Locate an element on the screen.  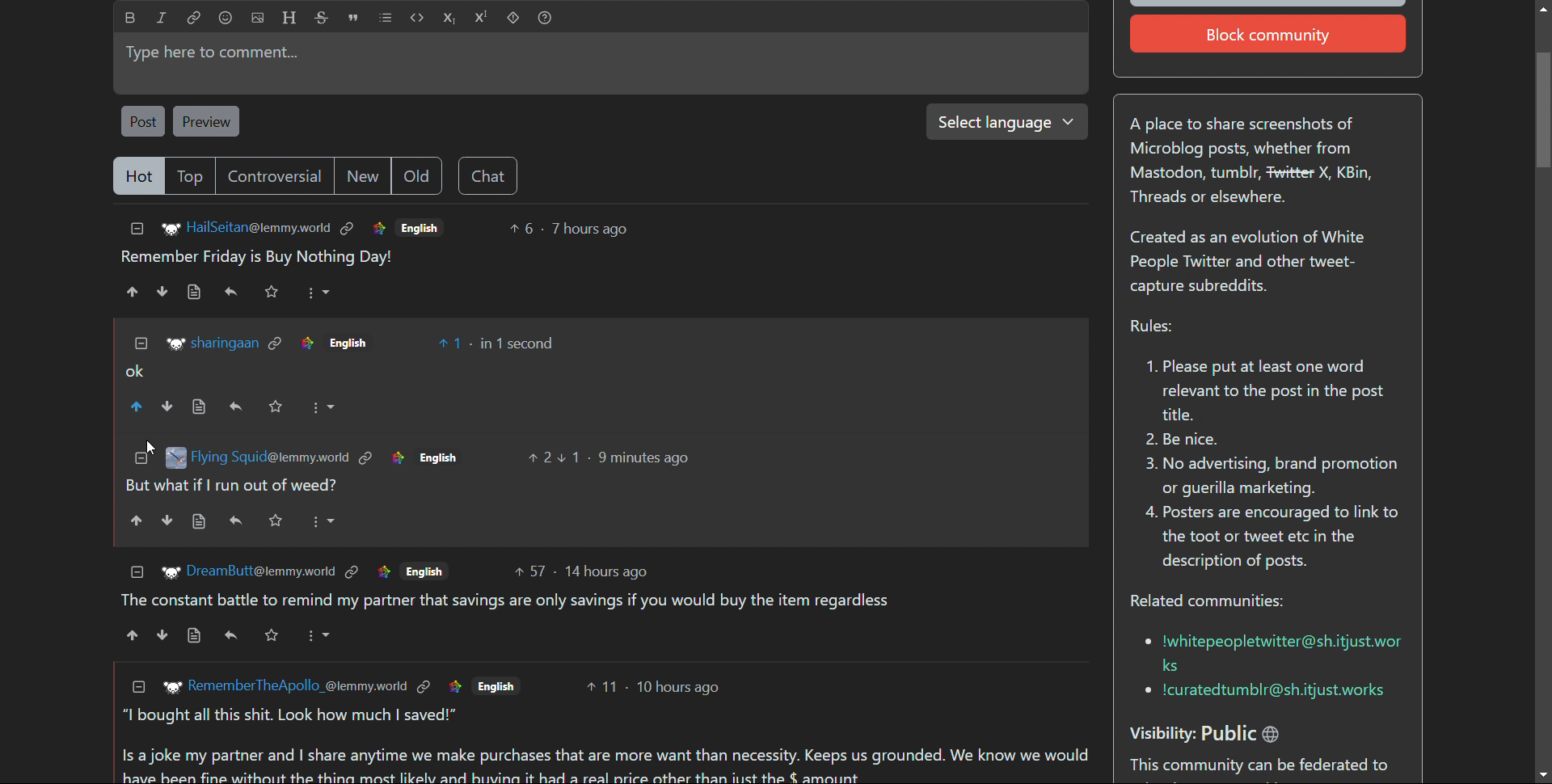
strikethrough is located at coordinates (323, 17).